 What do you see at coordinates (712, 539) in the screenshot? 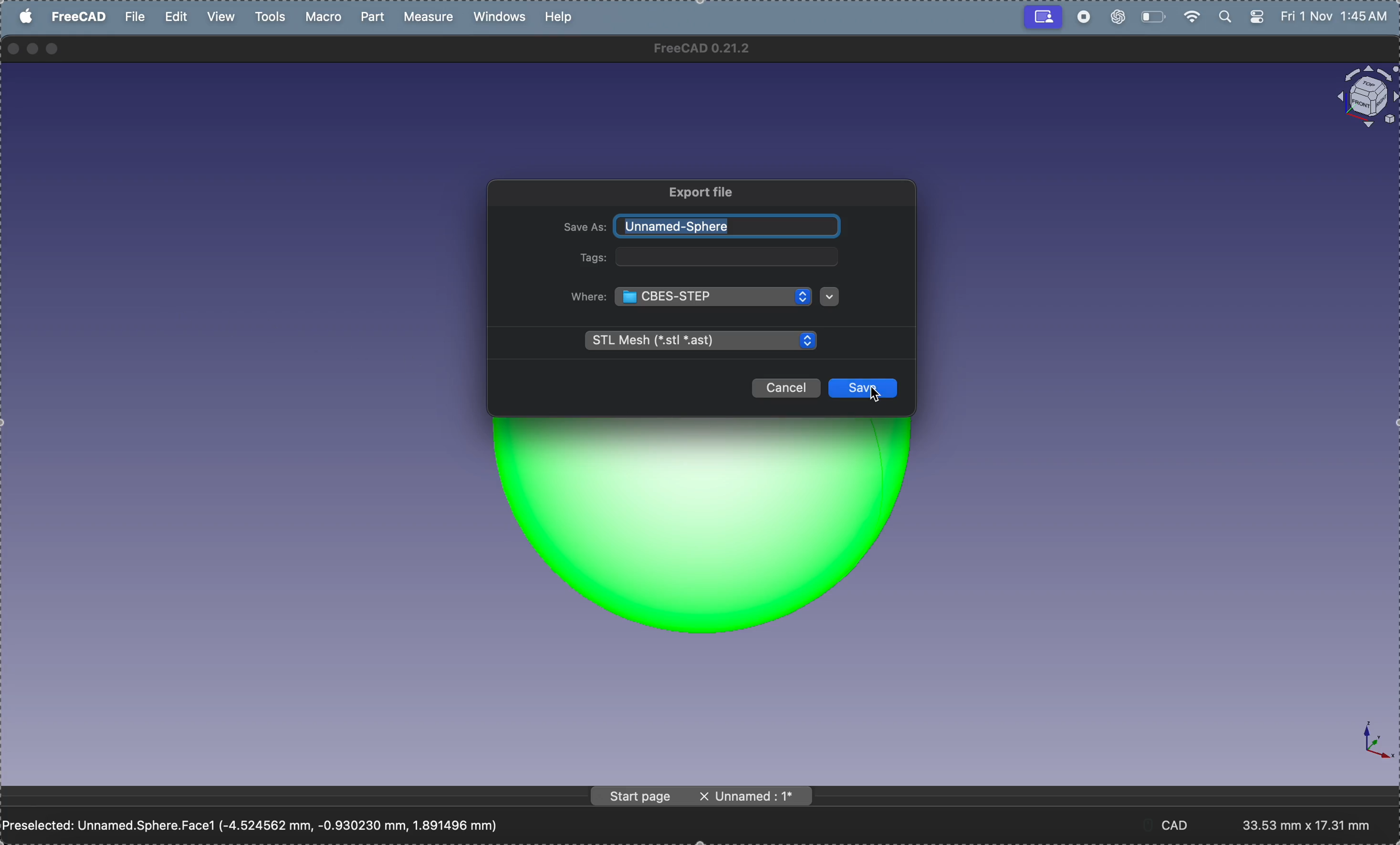
I see `sphere` at bounding box center [712, 539].